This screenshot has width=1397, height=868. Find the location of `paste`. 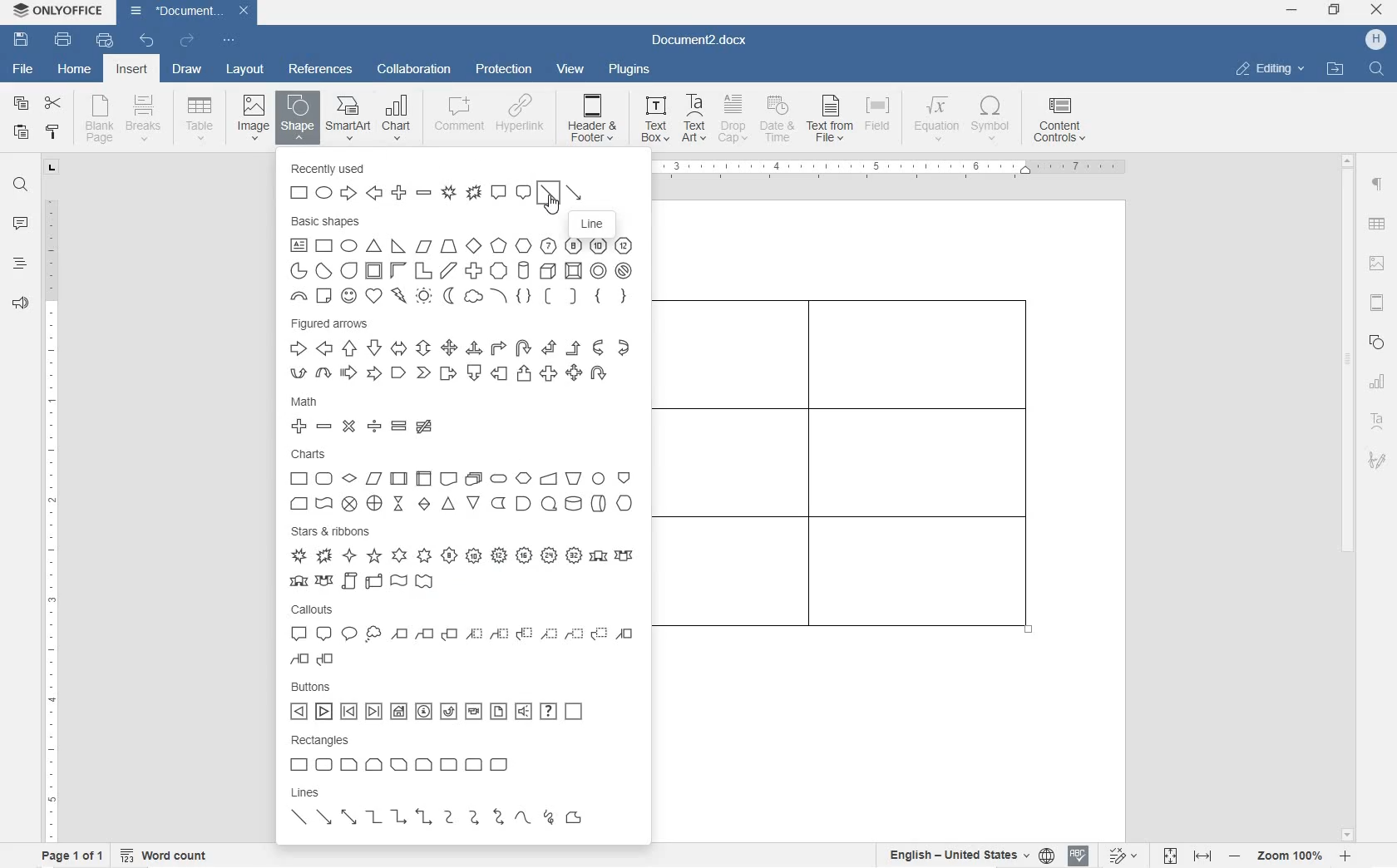

paste is located at coordinates (22, 132).